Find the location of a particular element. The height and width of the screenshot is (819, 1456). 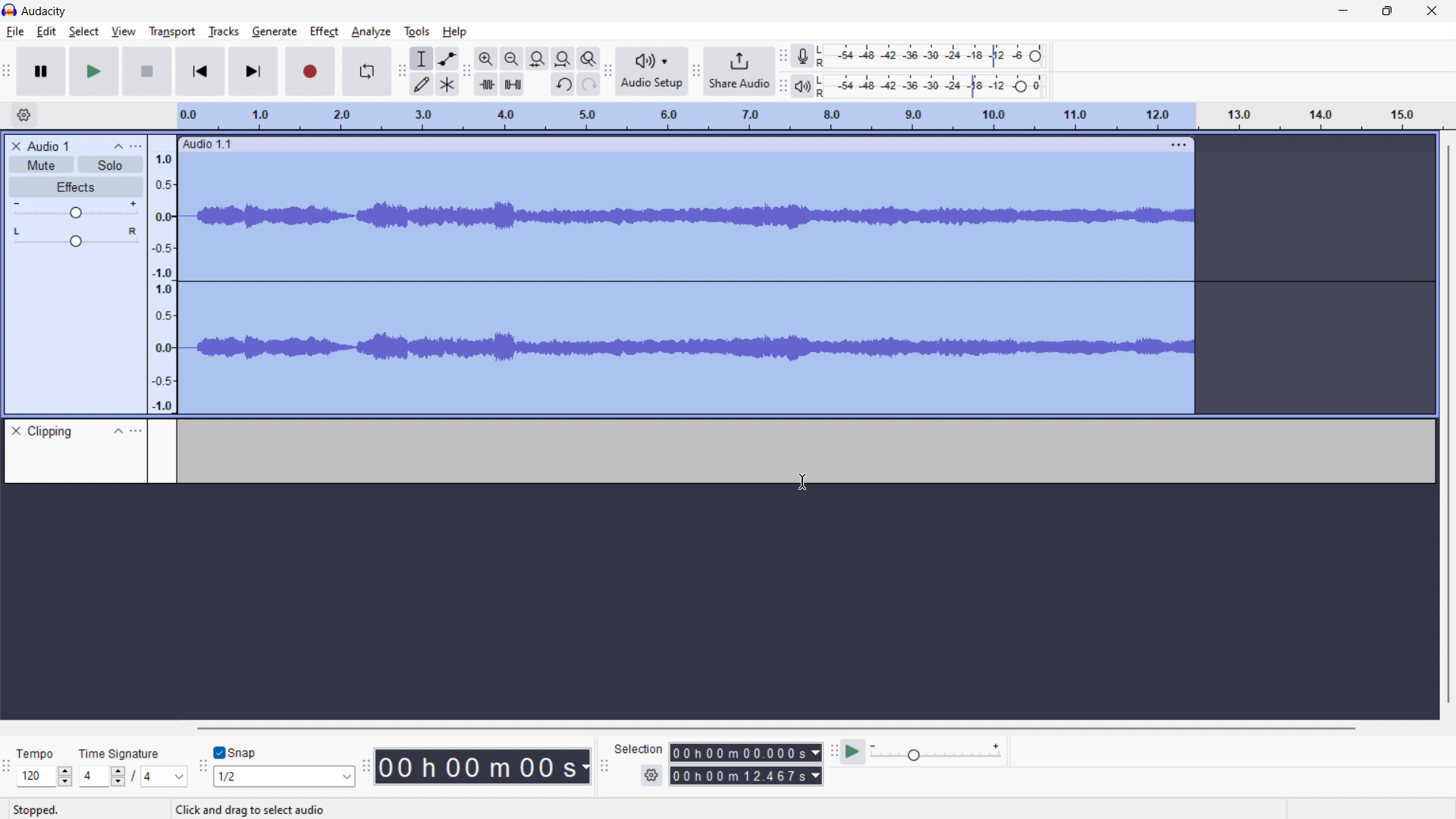

transport toolbar is located at coordinates (8, 72).